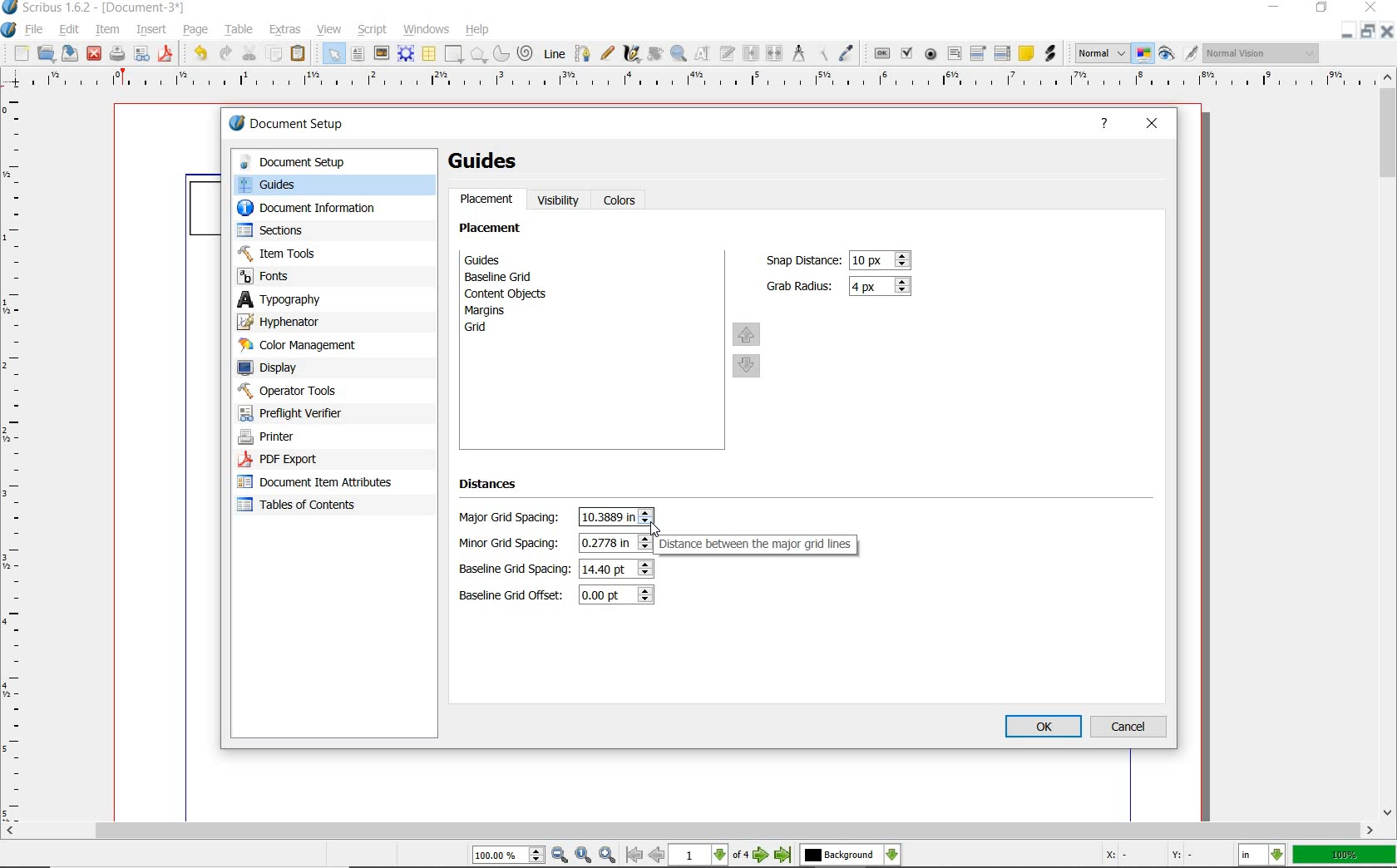 Image resolution: width=1397 pixels, height=868 pixels. I want to click on select current page, so click(711, 856).